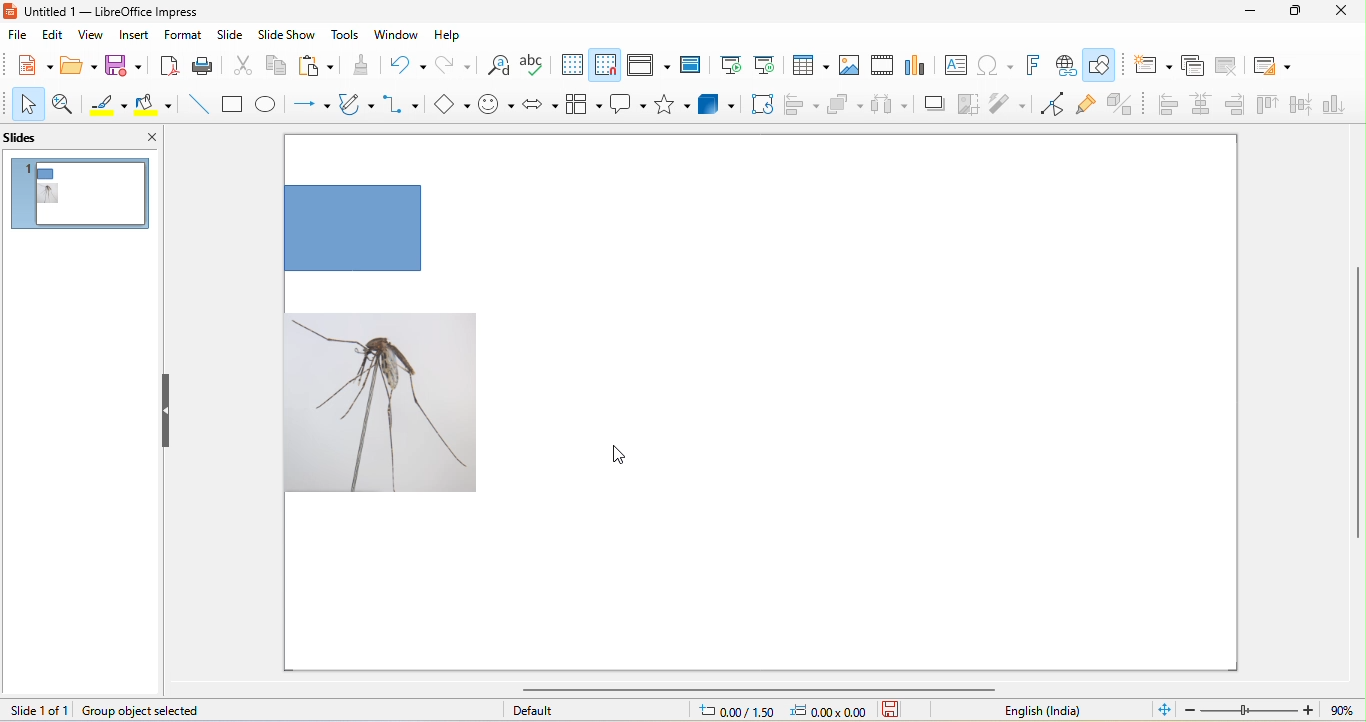 The width and height of the screenshot is (1366, 722). What do you see at coordinates (399, 39) in the screenshot?
I see `window` at bounding box center [399, 39].